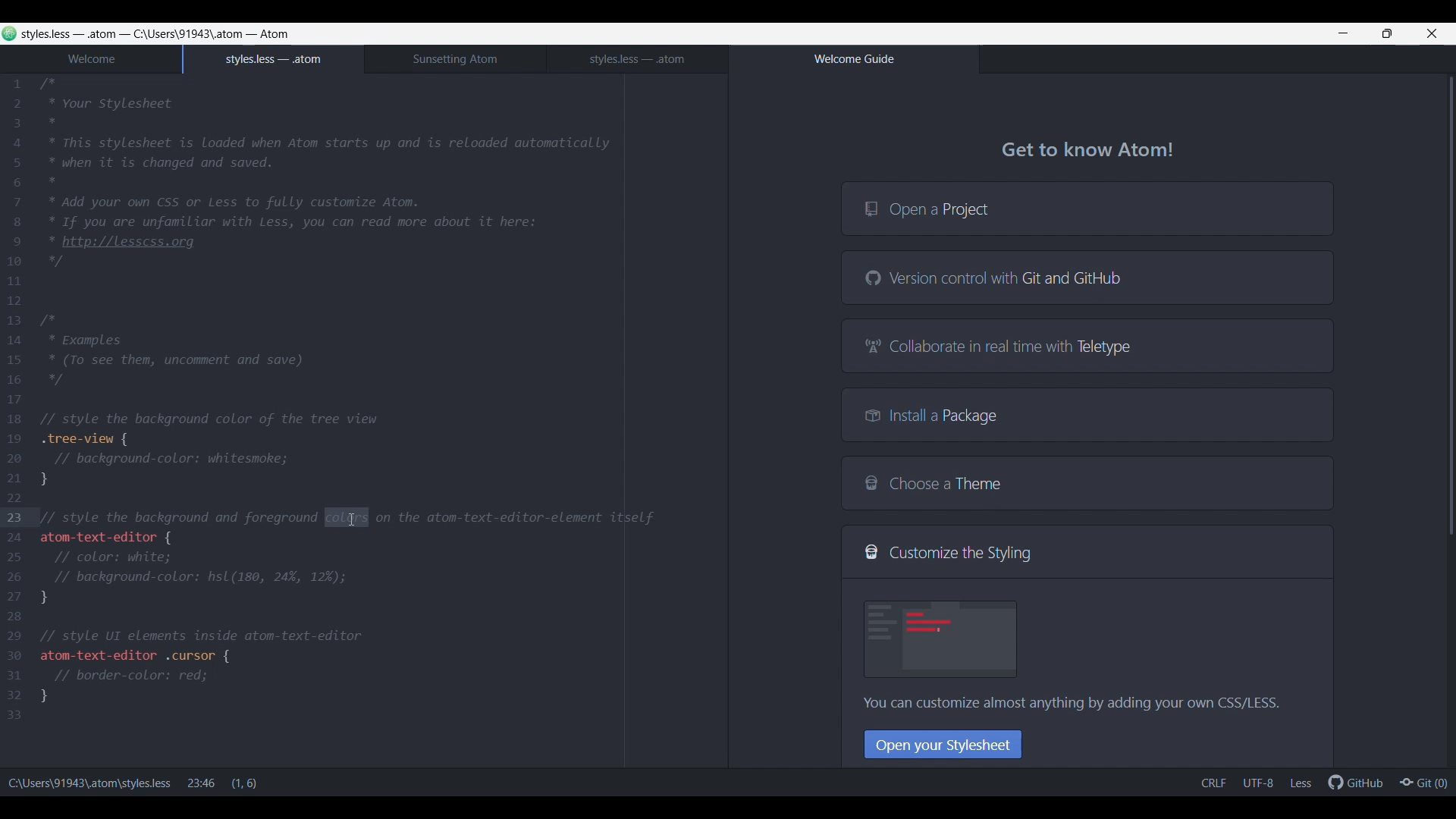 This screenshot has height=819, width=1456. Describe the element at coordinates (91, 60) in the screenshot. I see `Welcome tab` at that location.